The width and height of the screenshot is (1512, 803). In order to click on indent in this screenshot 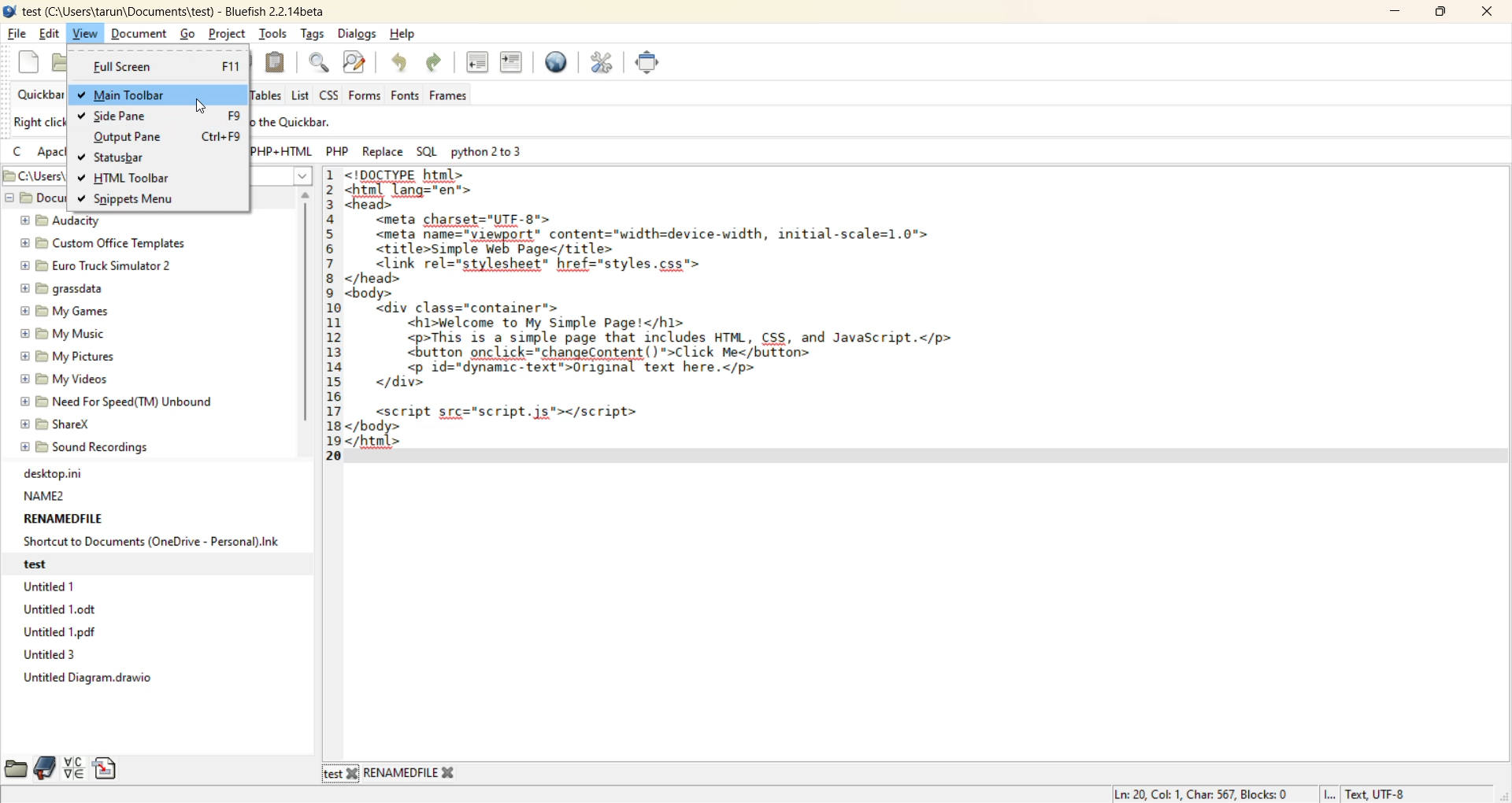, I will do `click(513, 66)`.